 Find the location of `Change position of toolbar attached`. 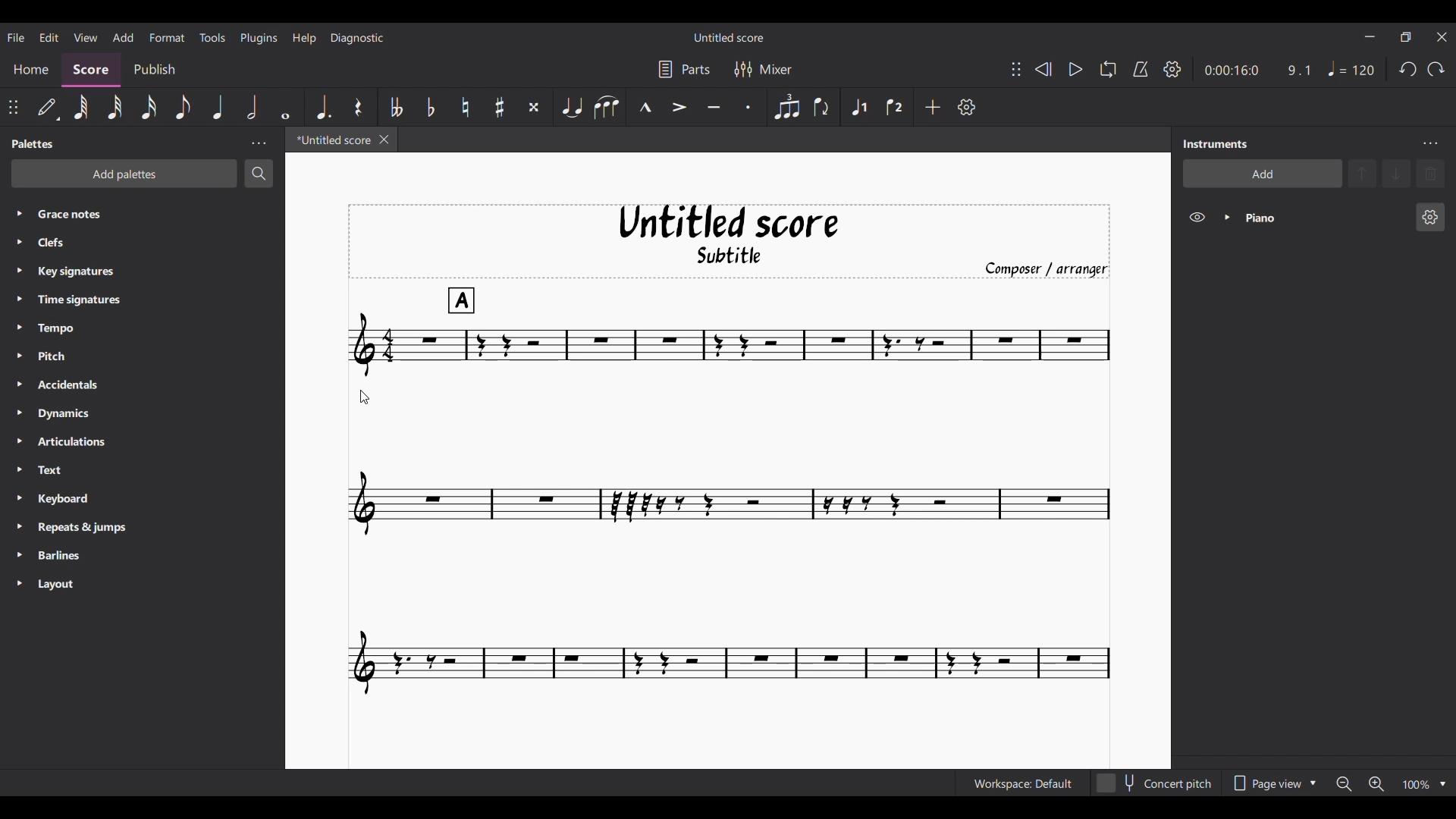

Change position of toolbar attached is located at coordinates (12, 106).